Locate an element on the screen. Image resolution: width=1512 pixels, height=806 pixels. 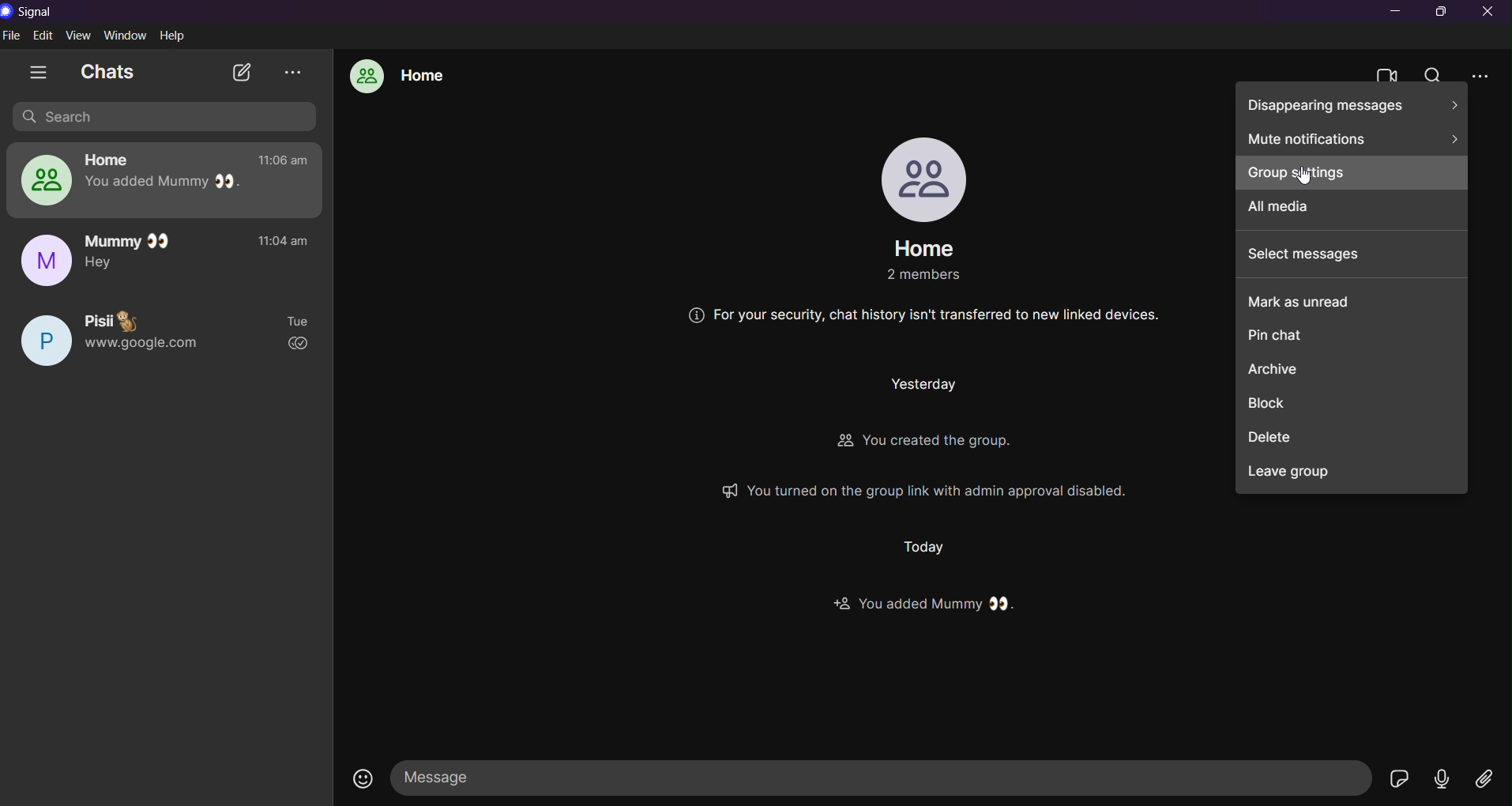
mute notifications is located at coordinates (1353, 137).